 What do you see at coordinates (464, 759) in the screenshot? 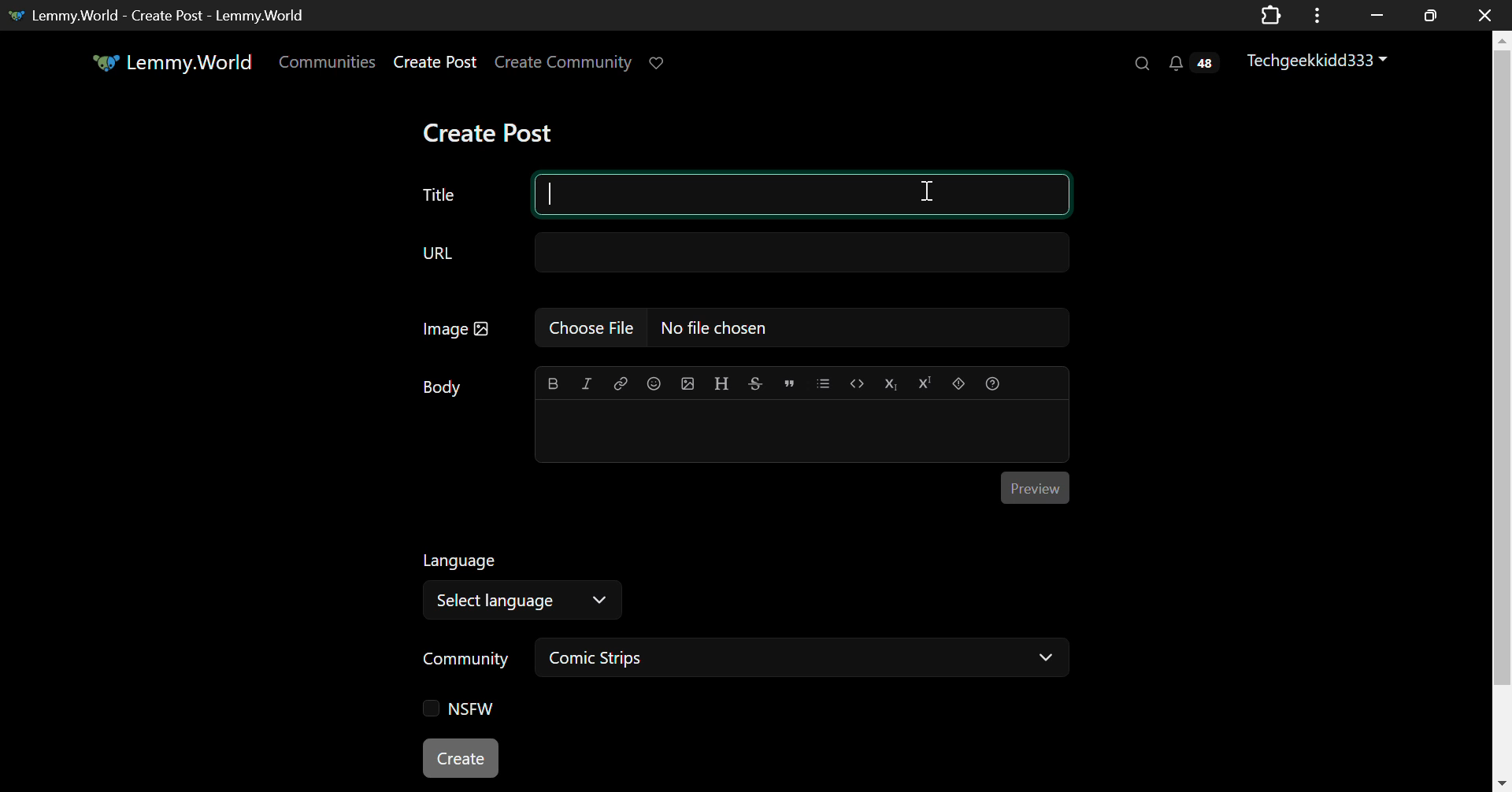
I see `Create` at bounding box center [464, 759].